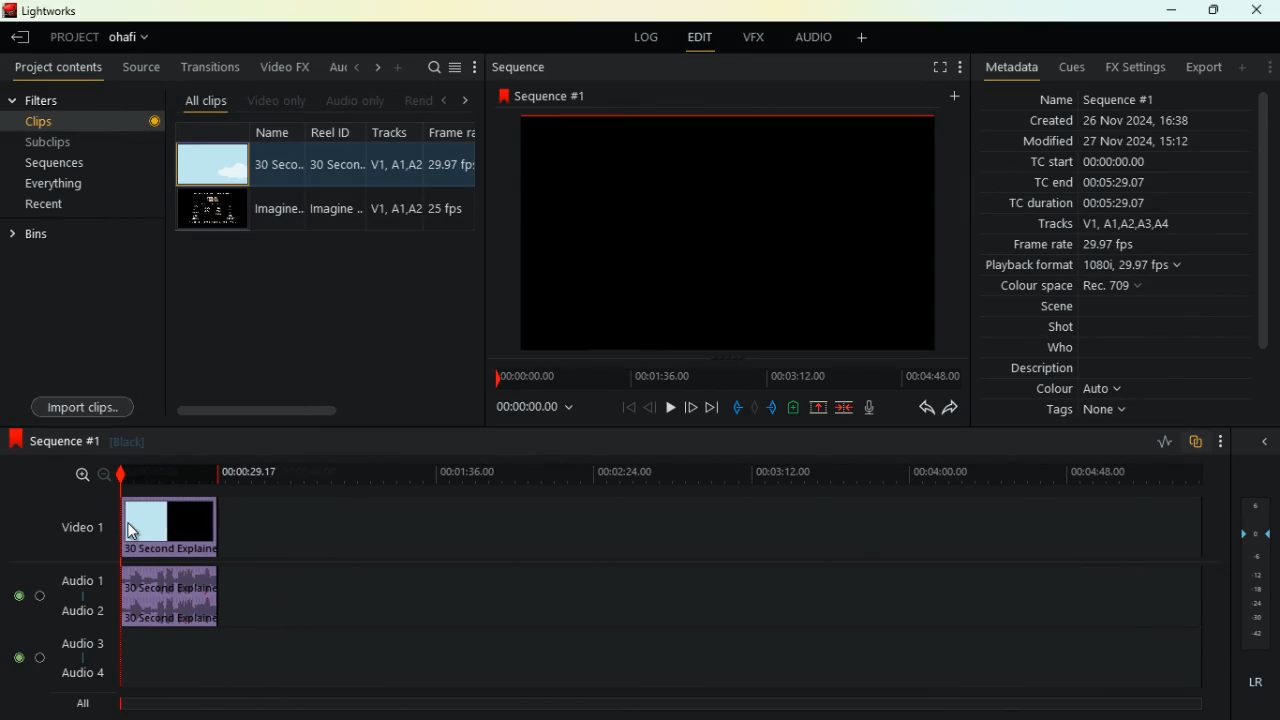 The height and width of the screenshot is (720, 1280). Describe the element at coordinates (1074, 286) in the screenshot. I see `colour space` at that location.